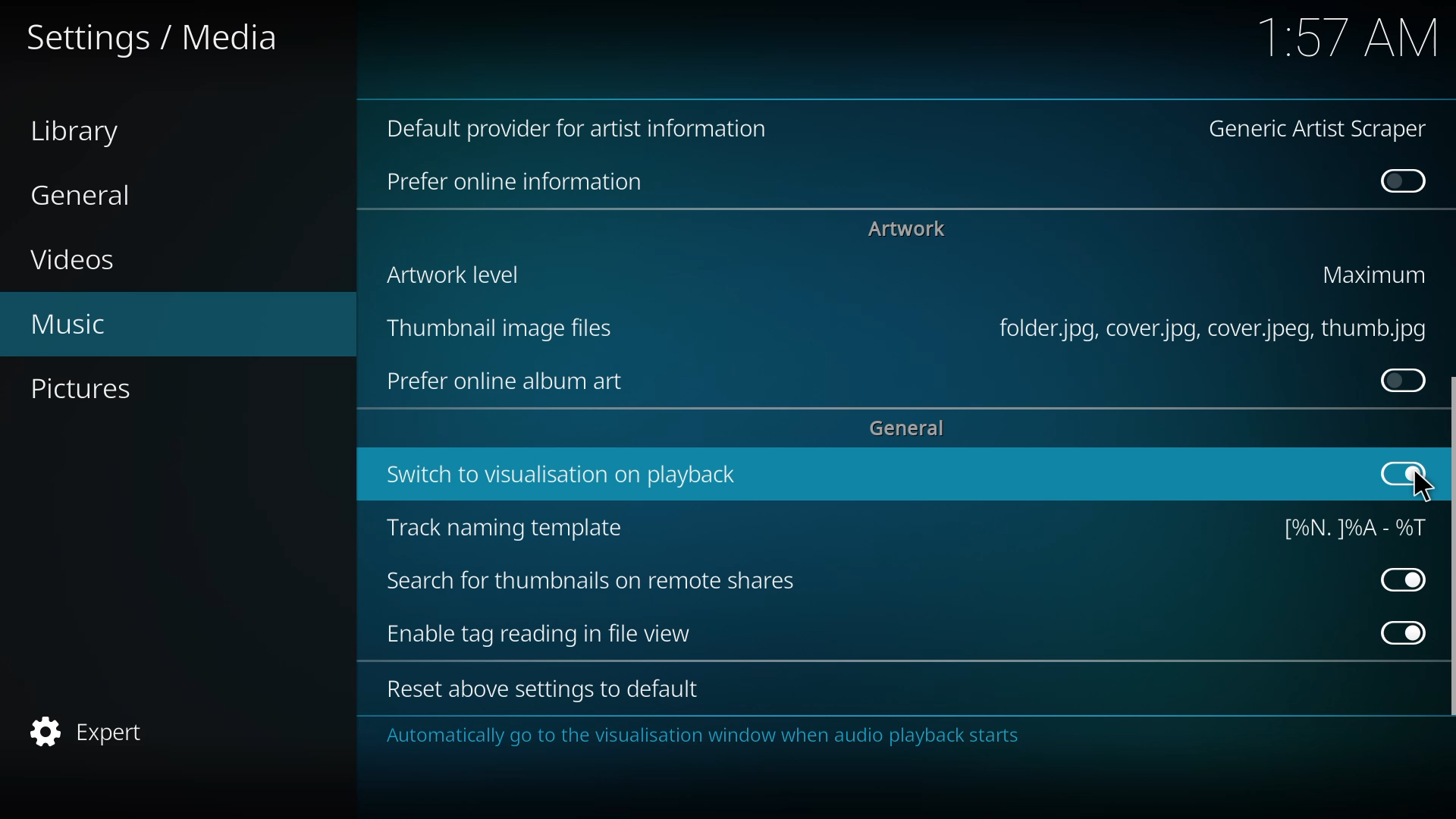 The image size is (1456, 819). Describe the element at coordinates (493, 328) in the screenshot. I see `thumbnail image file` at that location.